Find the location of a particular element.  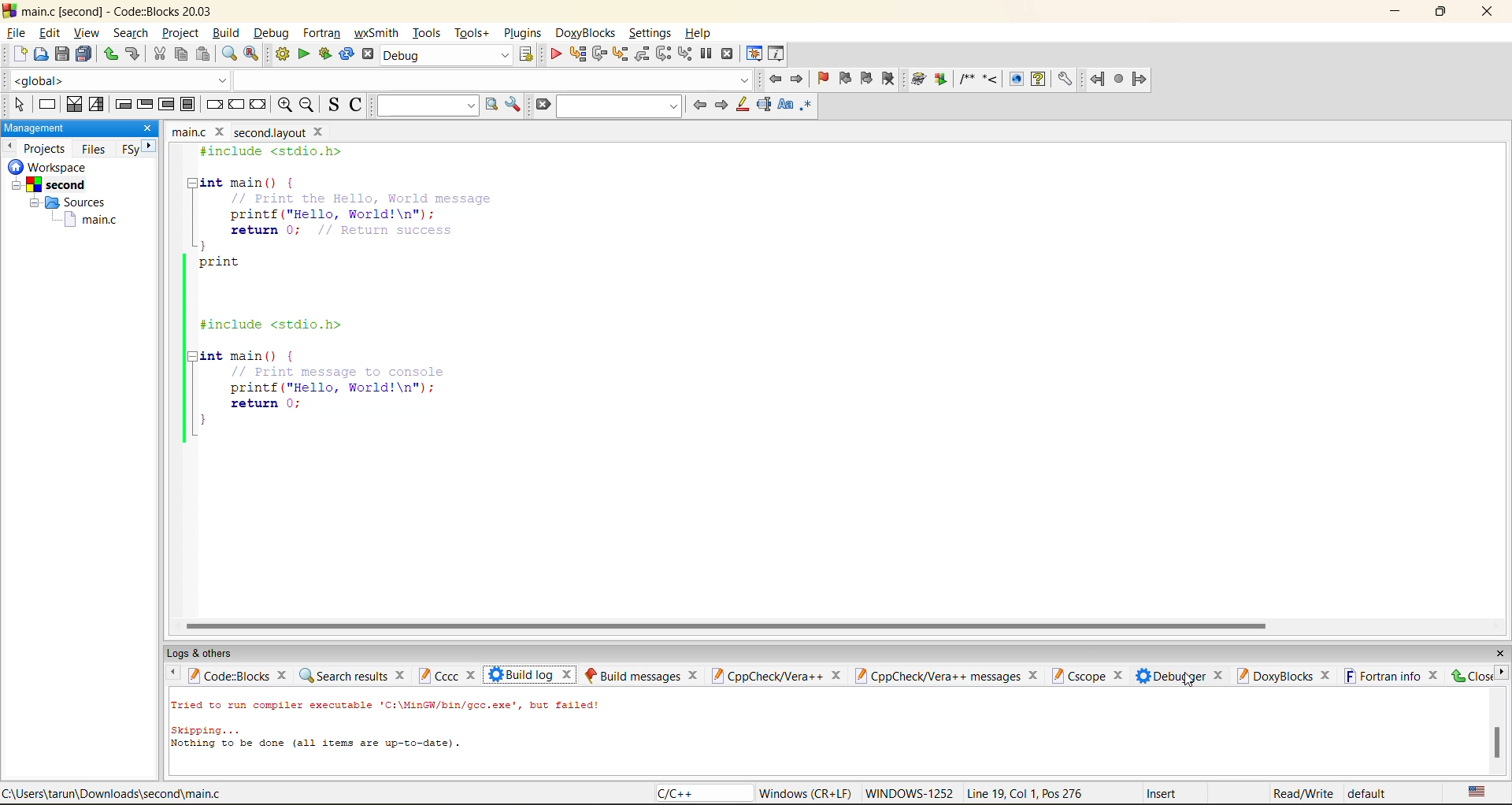

select is located at coordinates (15, 106).